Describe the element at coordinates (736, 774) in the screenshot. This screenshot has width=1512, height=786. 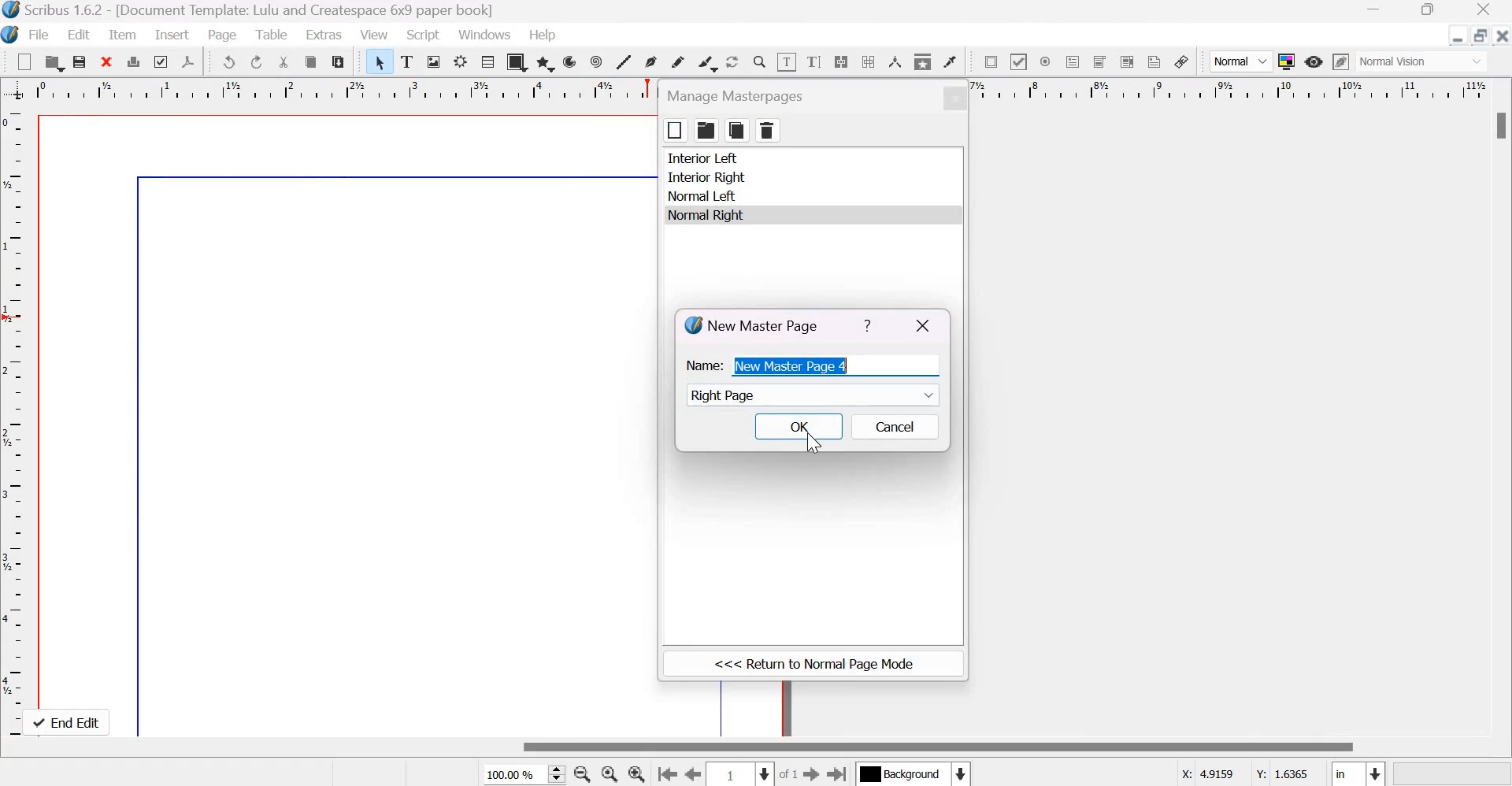
I see `Select the current page` at that location.